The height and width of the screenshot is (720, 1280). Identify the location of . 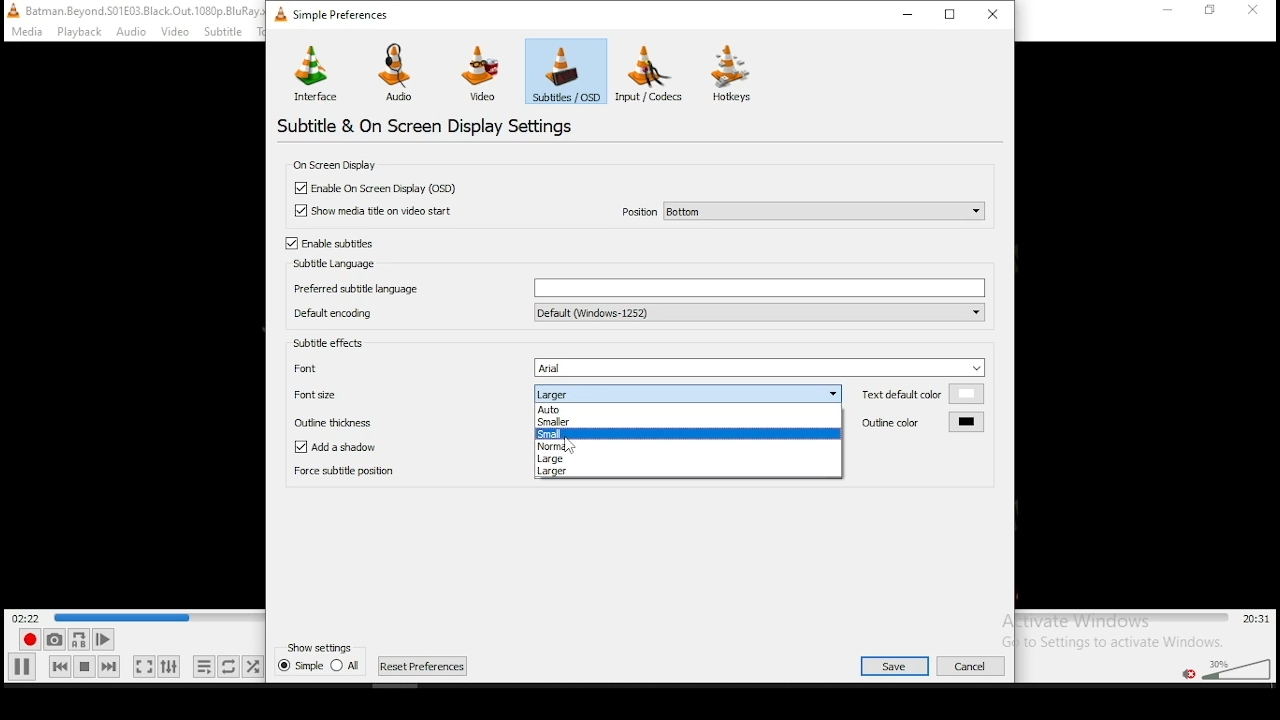
(230, 31).